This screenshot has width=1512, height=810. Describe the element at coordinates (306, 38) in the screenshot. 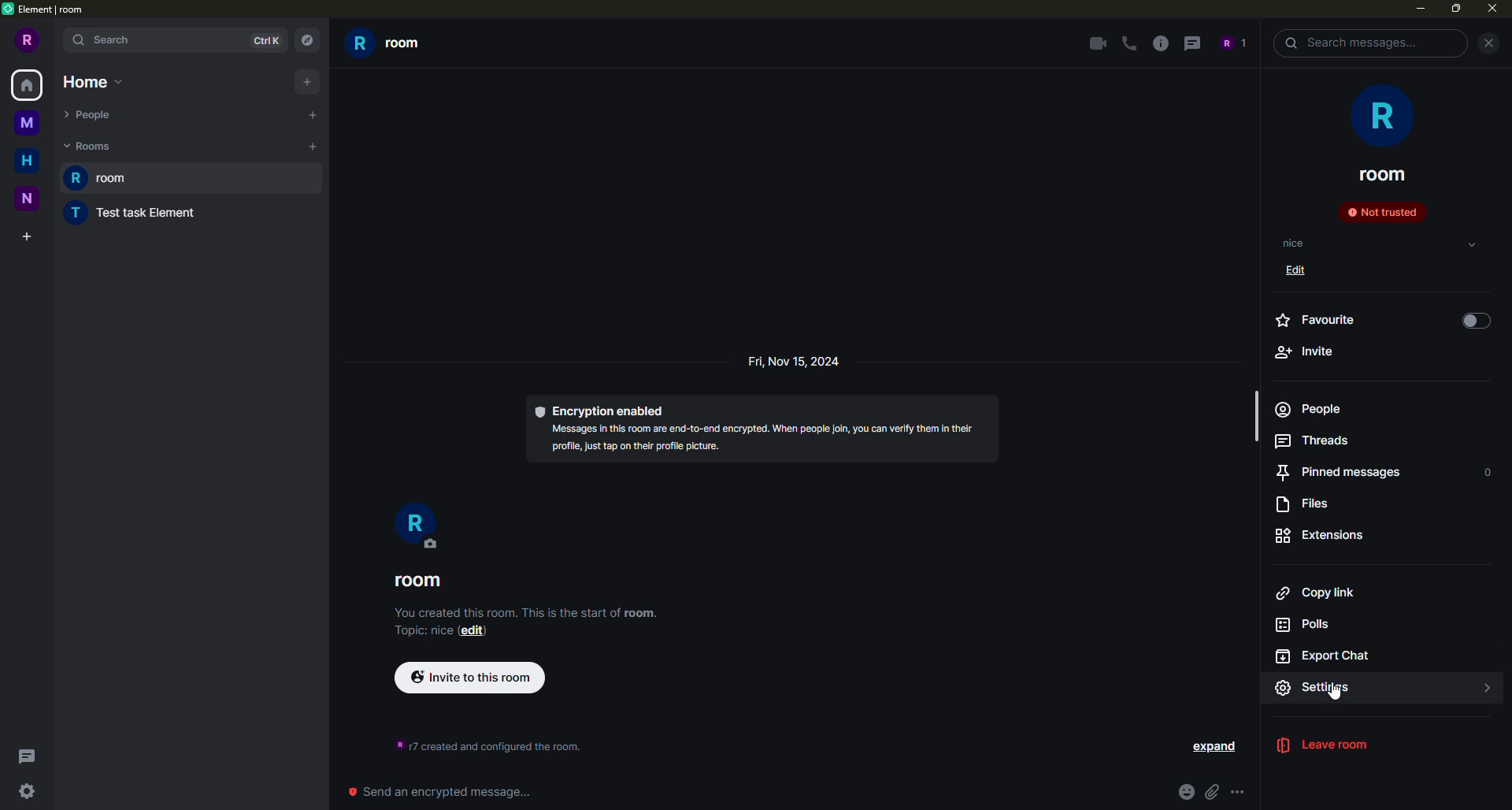

I see `navigation` at that location.